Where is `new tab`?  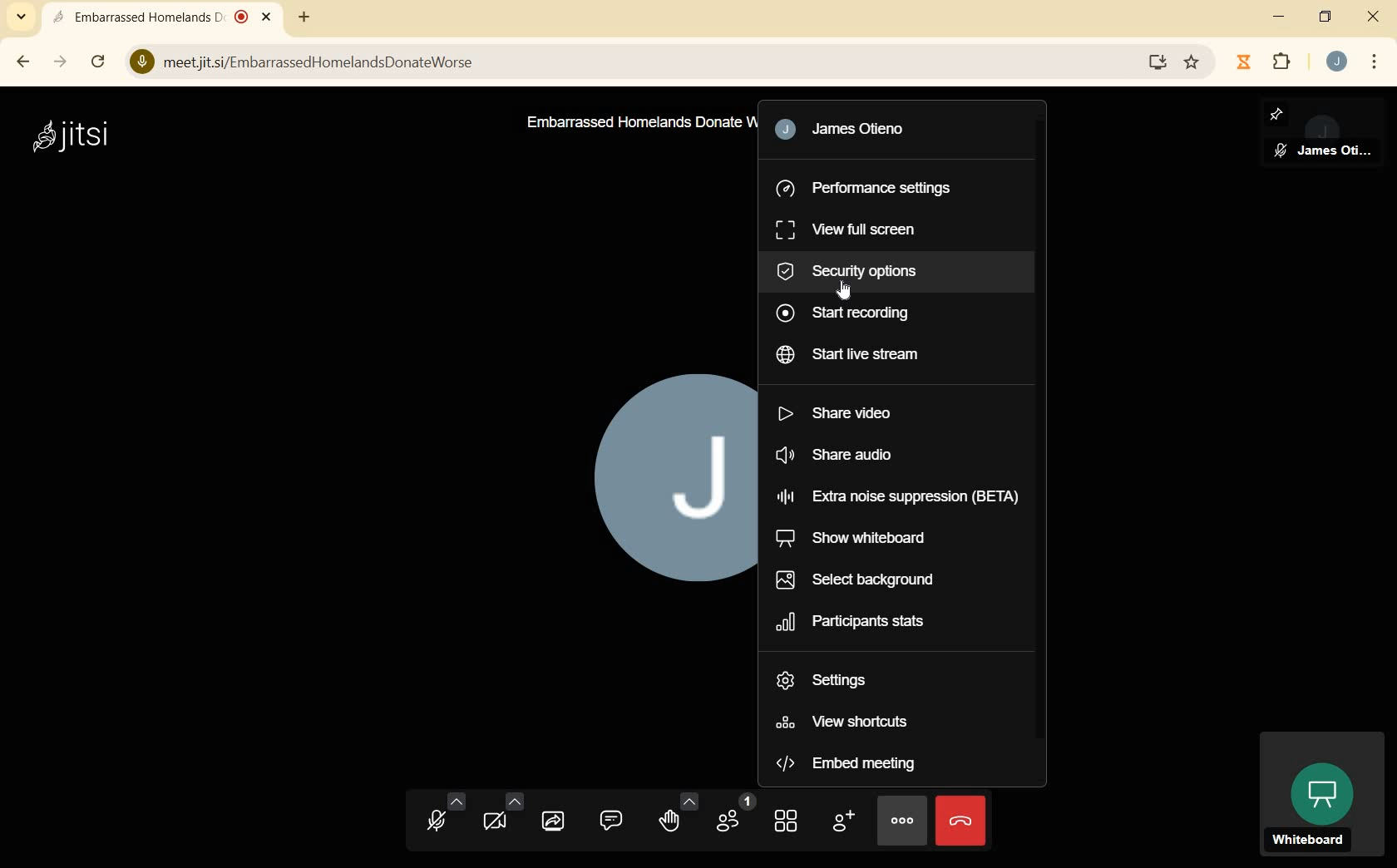 new tab is located at coordinates (303, 17).